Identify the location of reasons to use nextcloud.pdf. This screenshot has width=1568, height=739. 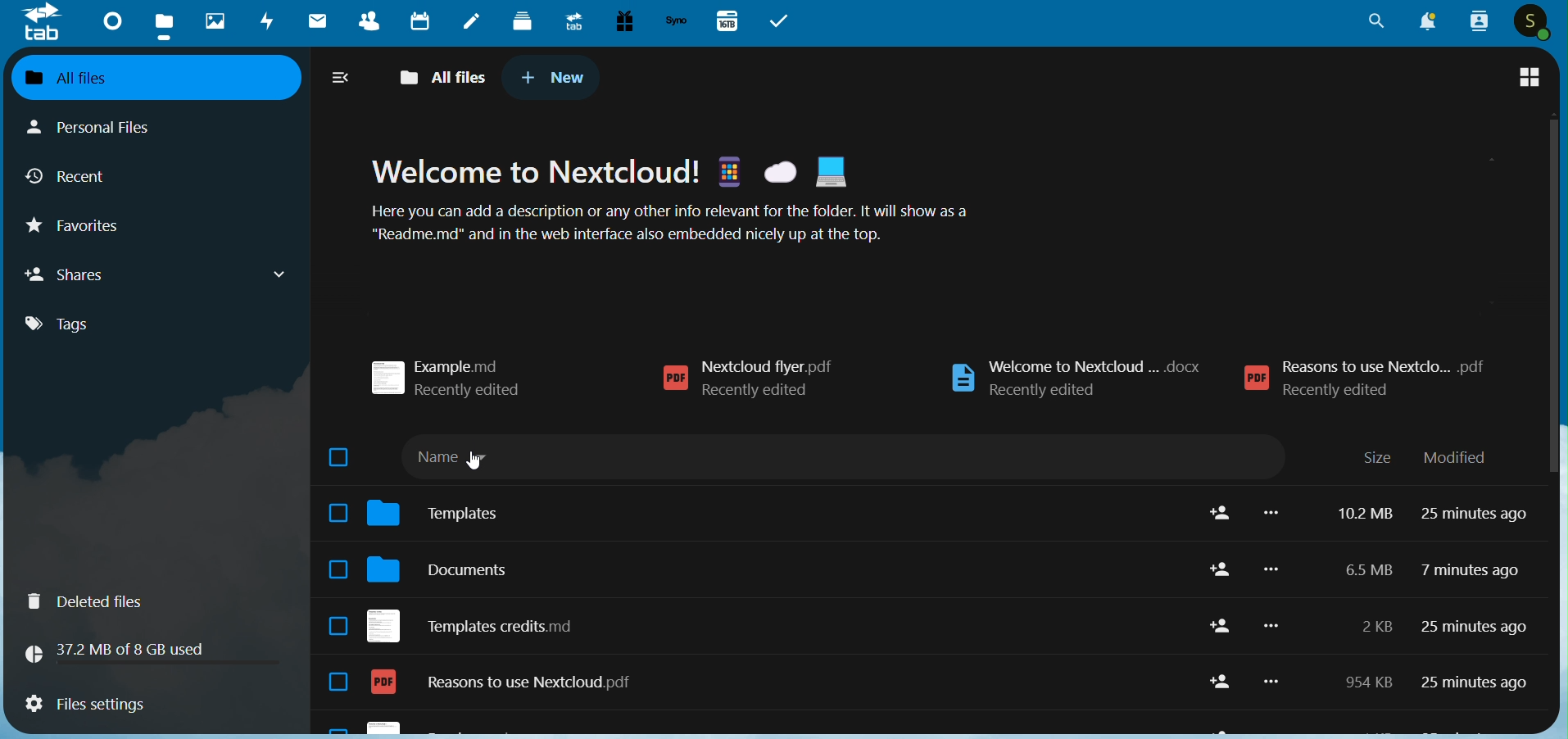
(516, 683).